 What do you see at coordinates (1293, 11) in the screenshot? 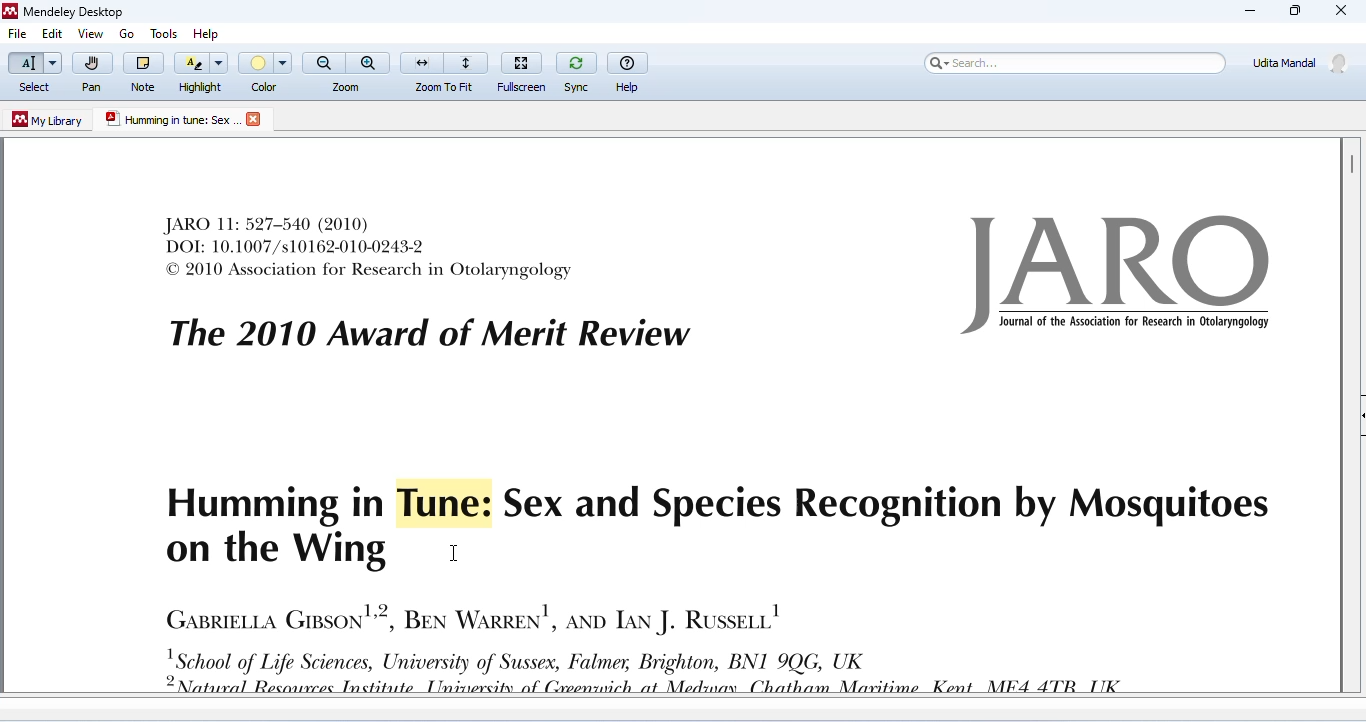
I see `maximize` at bounding box center [1293, 11].